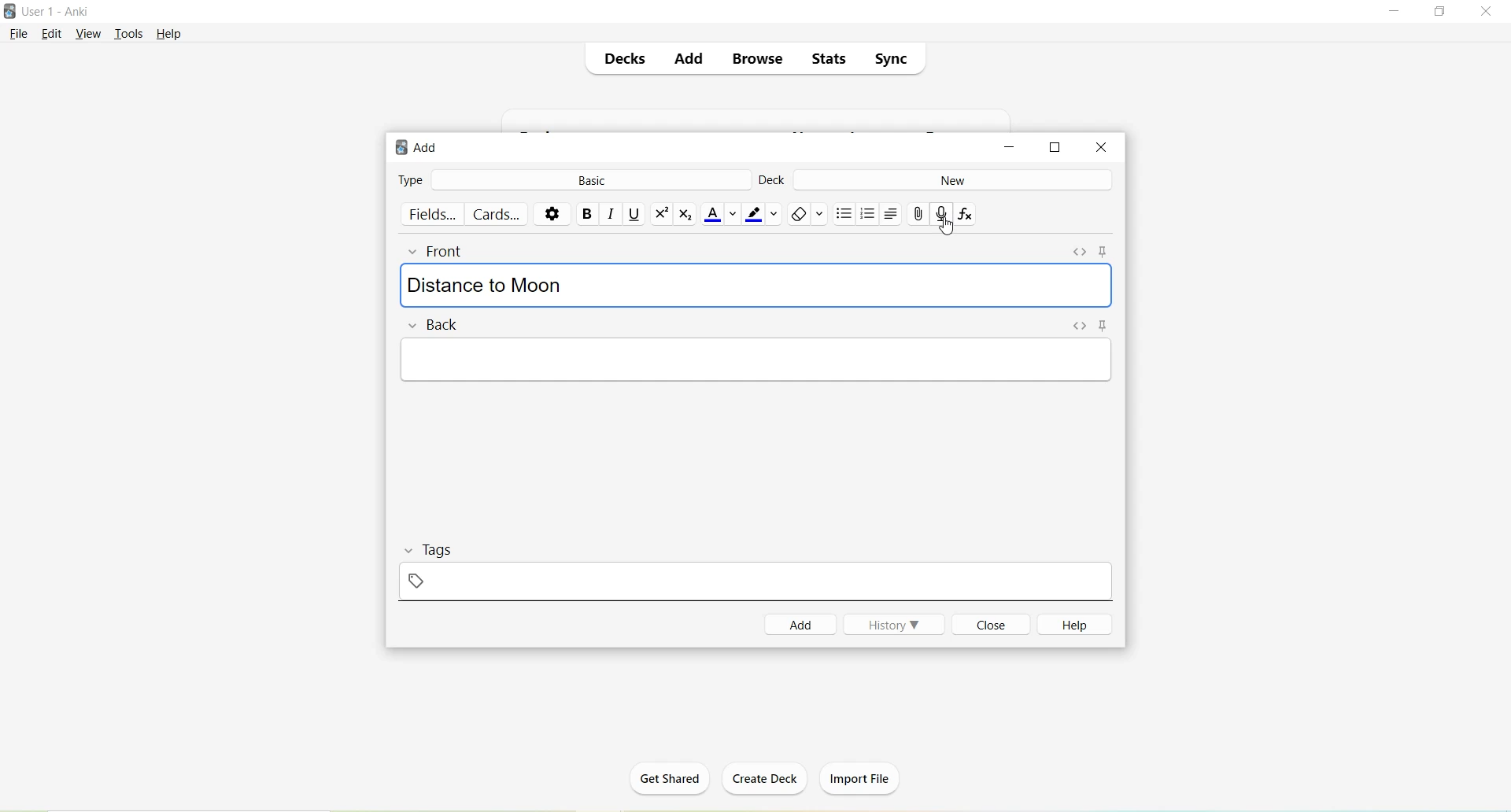 The image size is (1511, 812). Describe the element at coordinates (588, 181) in the screenshot. I see `Basic` at that location.